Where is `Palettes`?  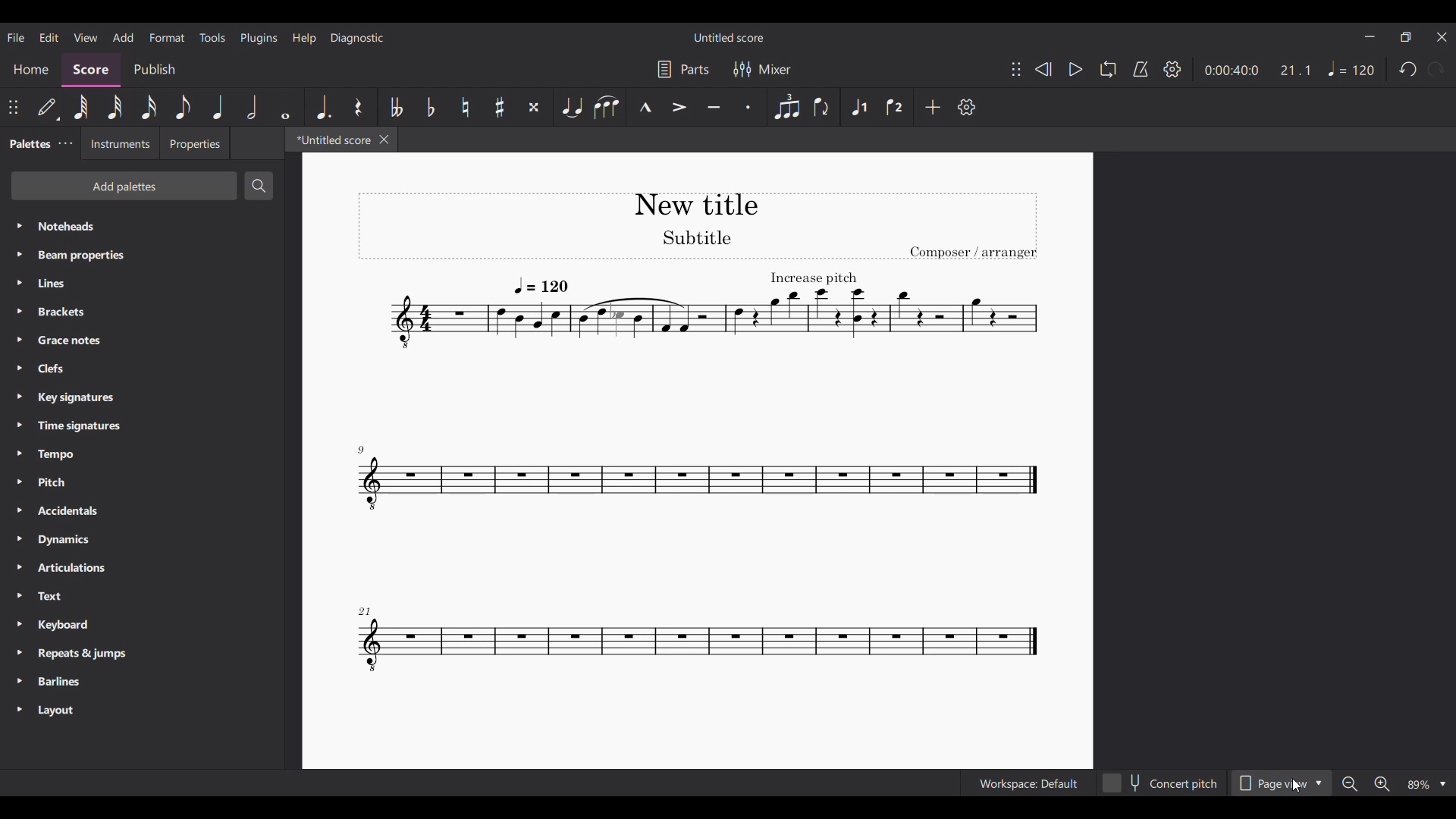
Palettes is located at coordinates (28, 143).